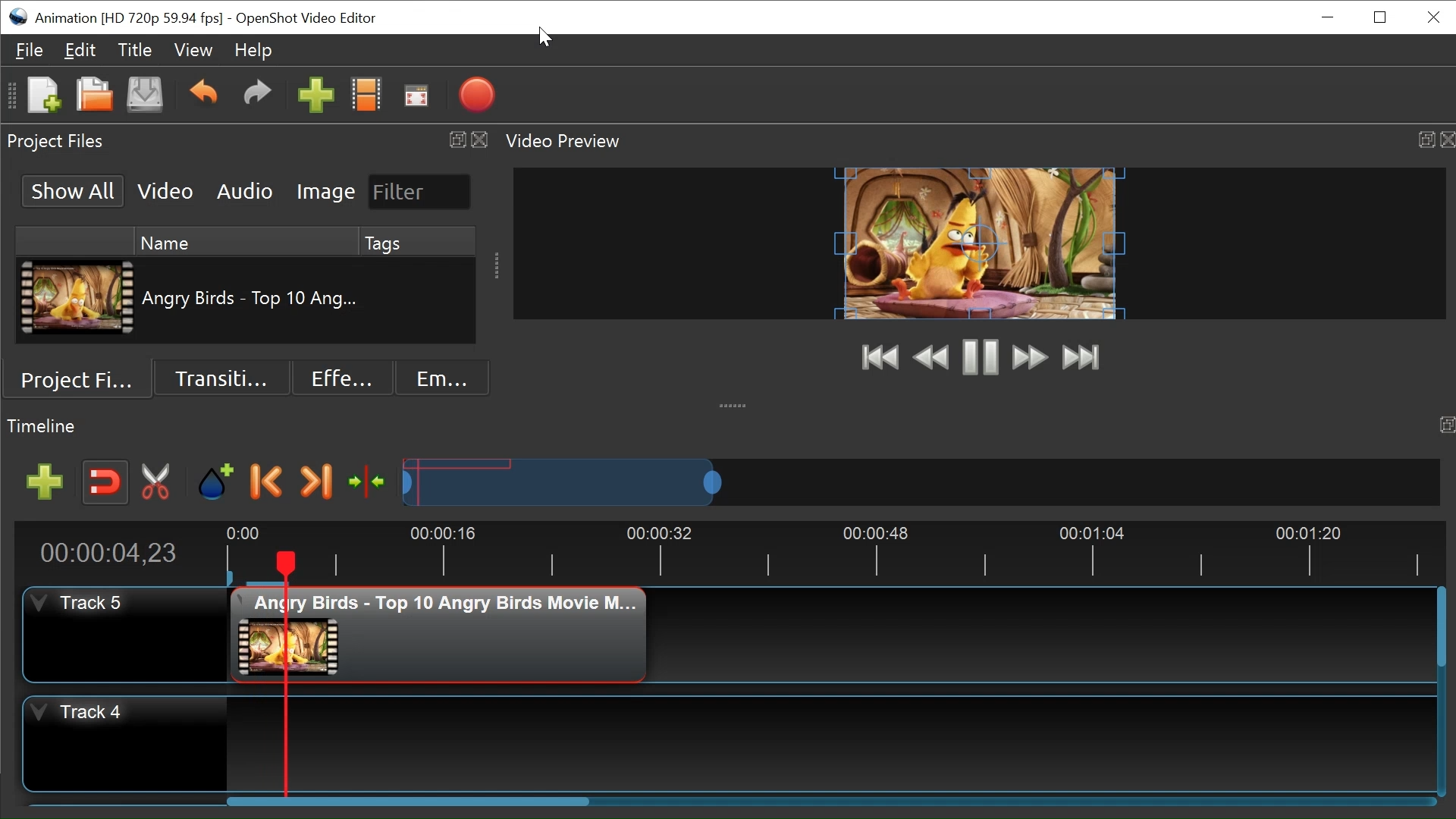 The height and width of the screenshot is (819, 1456). Describe the element at coordinates (1326, 17) in the screenshot. I see `minimize` at that location.